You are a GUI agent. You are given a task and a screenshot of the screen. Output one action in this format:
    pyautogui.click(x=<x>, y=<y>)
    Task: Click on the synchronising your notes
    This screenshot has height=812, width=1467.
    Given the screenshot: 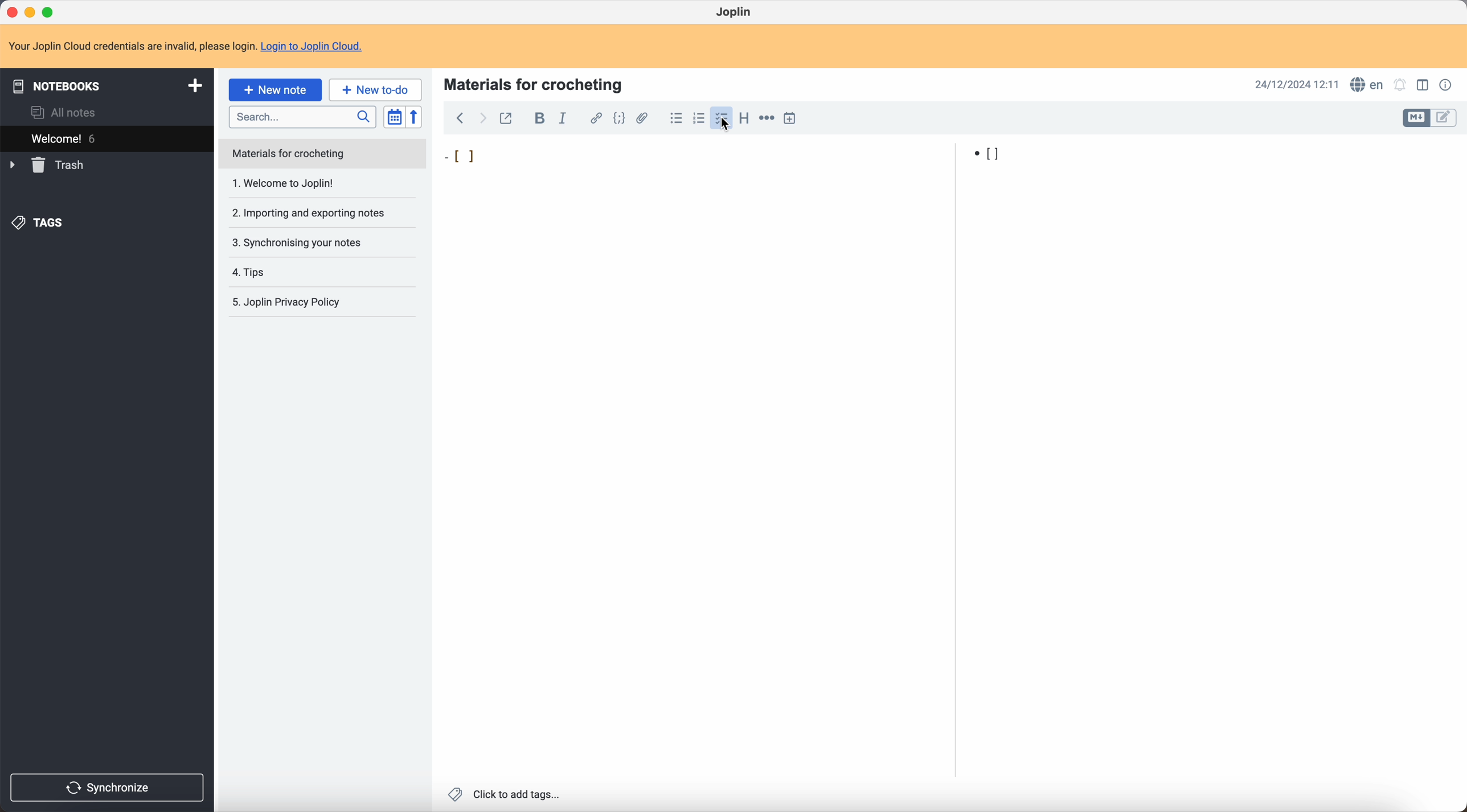 What is the action you would take?
    pyautogui.click(x=315, y=242)
    